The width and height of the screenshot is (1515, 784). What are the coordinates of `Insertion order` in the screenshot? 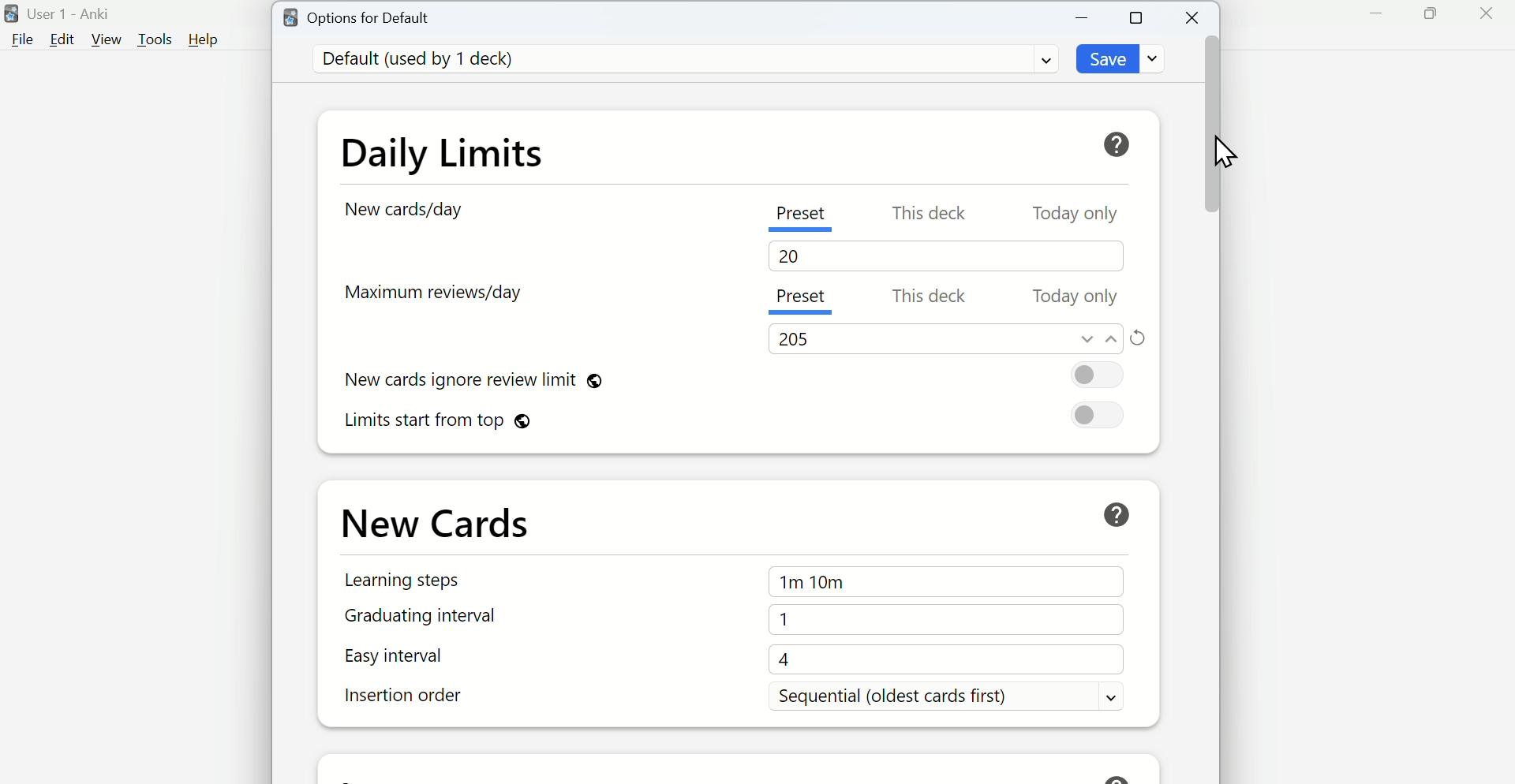 It's located at (408, 696).